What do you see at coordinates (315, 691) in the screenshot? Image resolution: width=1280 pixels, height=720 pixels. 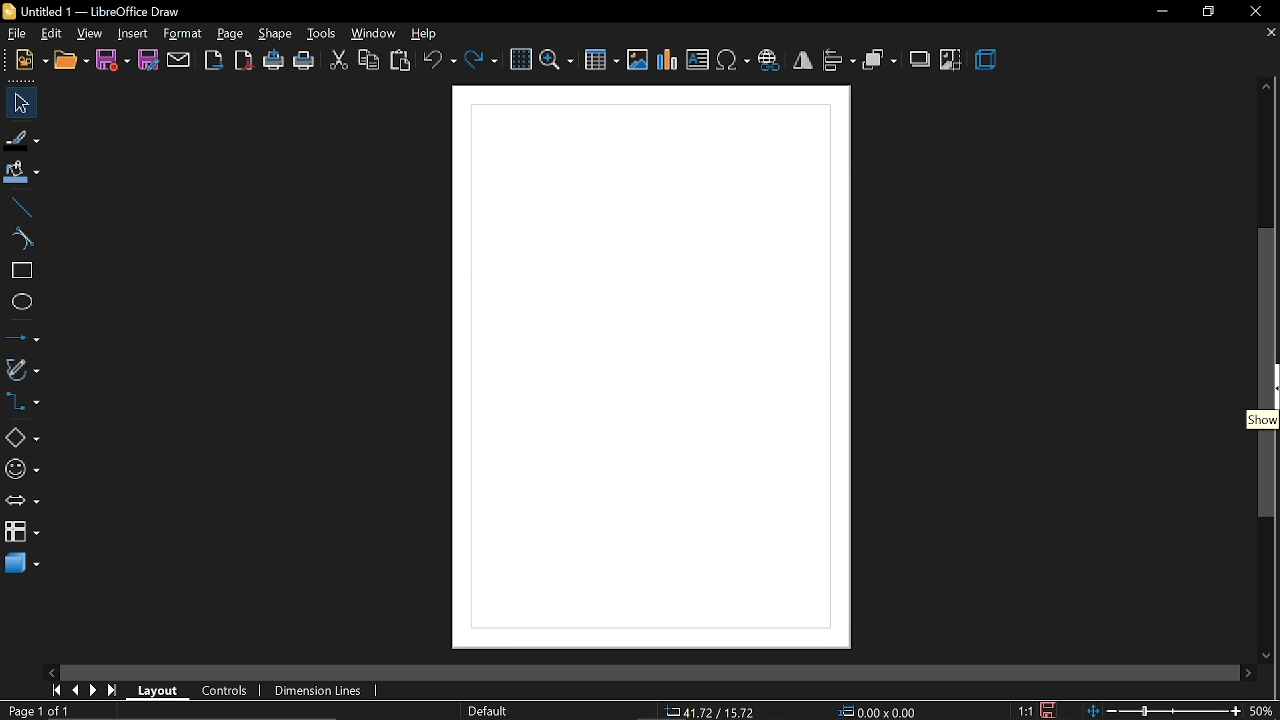 I see `dimension lines` at bounding box center [315, 691].